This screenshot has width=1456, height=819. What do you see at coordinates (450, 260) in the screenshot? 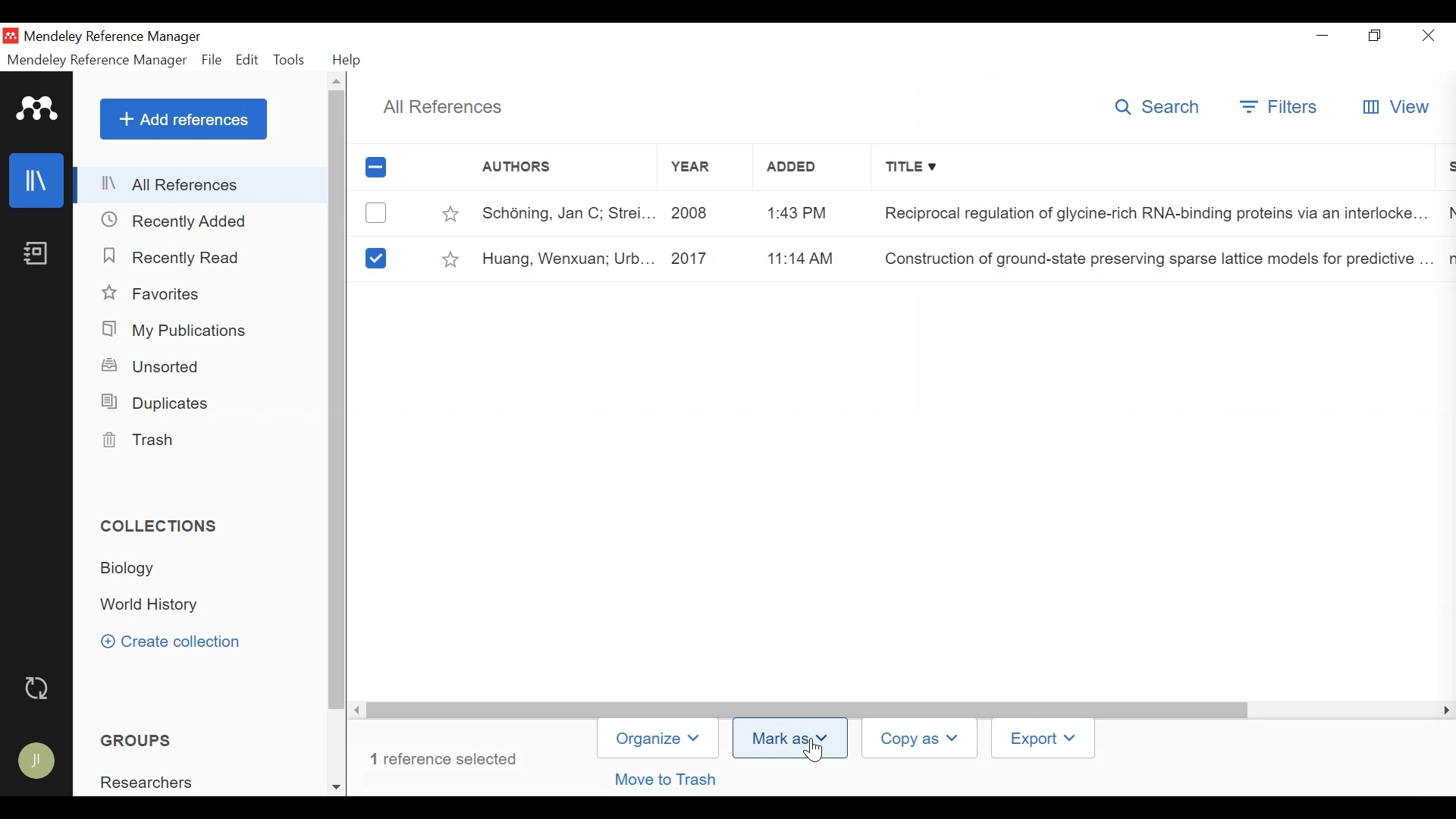
I see `Toggle Favorites` at bounding box center [450, 260].